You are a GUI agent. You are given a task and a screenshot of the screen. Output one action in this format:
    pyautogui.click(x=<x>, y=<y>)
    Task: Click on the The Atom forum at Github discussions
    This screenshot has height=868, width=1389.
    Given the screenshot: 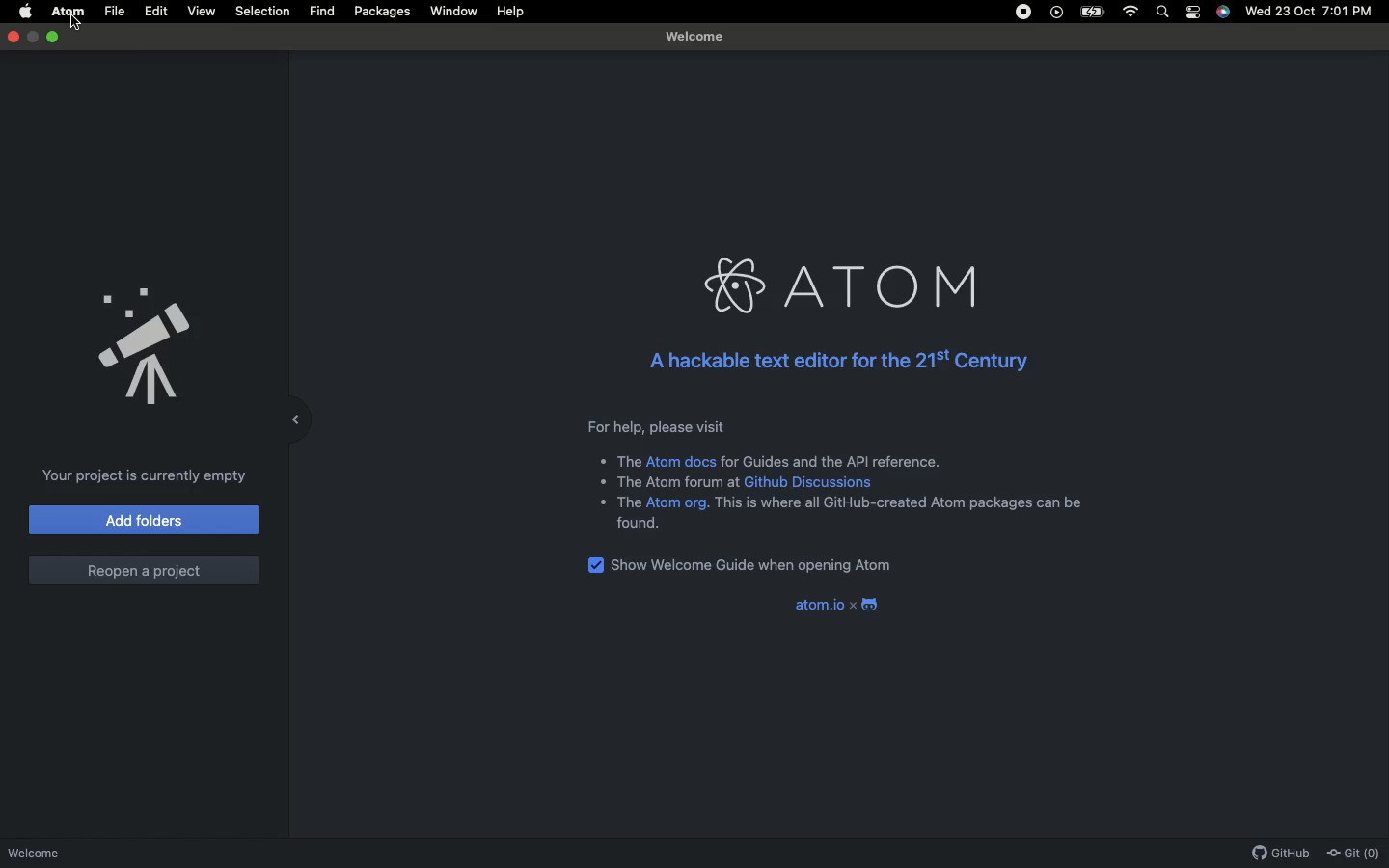 What is the action you would take?
    pyautogui.click(x=745, y=483)
    